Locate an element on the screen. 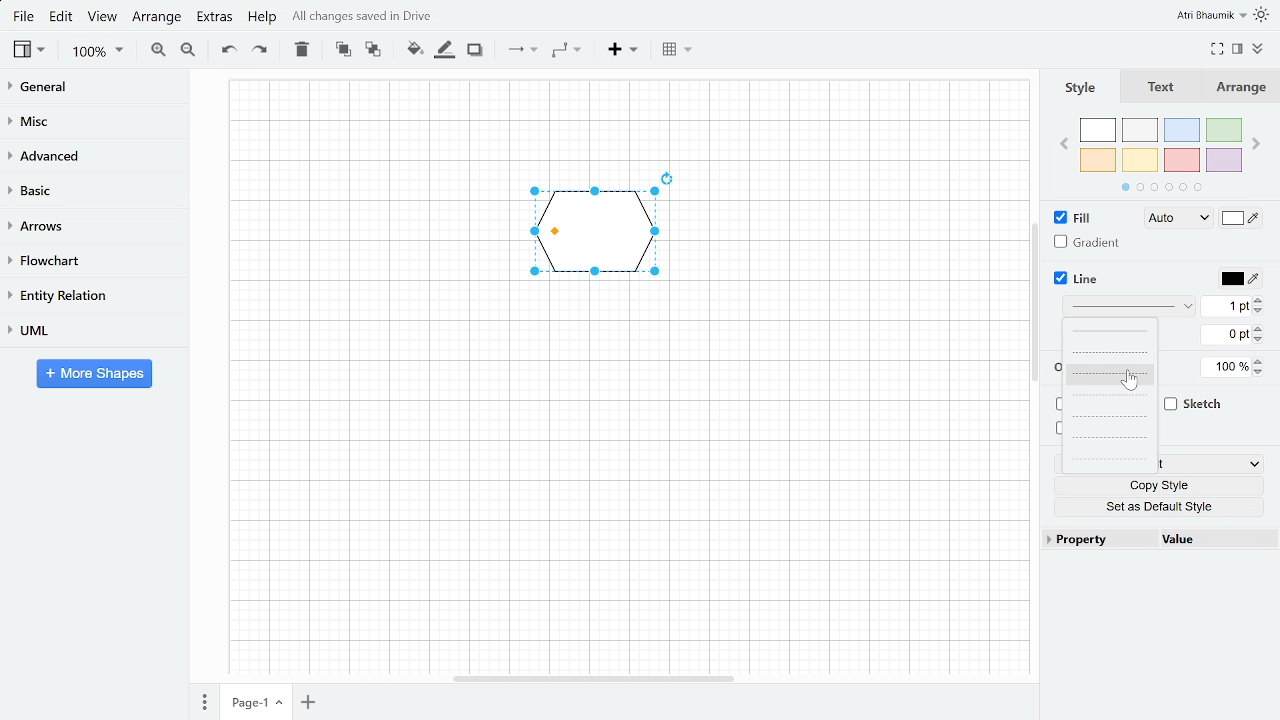 This screenshot has width=1280, height=720. Value is located at coordinates (1219, 539).